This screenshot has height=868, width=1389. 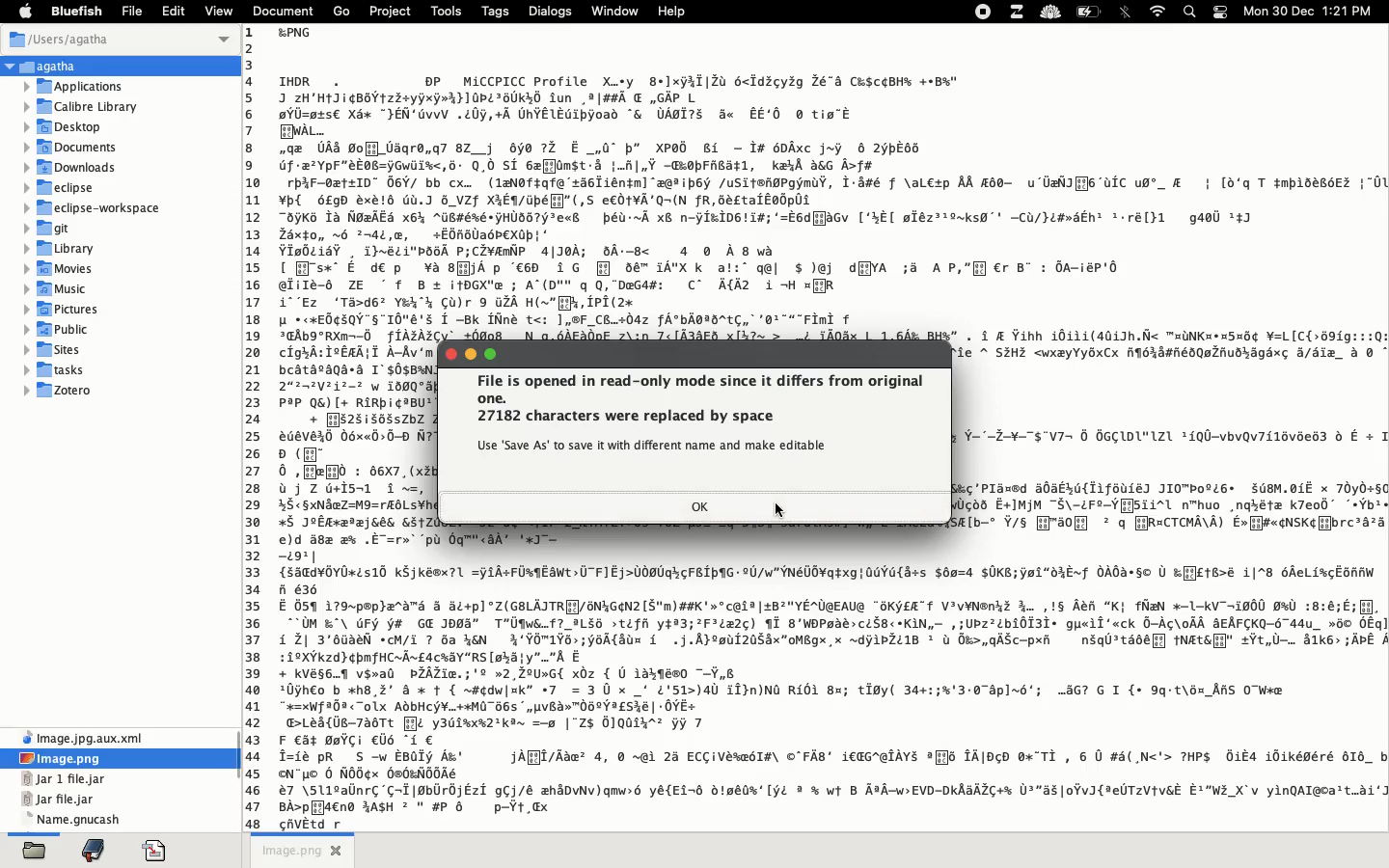 What do you see at coordinates (705, 416) in the screenshot?
I see `file is opened` at bounding box center [705, 416].